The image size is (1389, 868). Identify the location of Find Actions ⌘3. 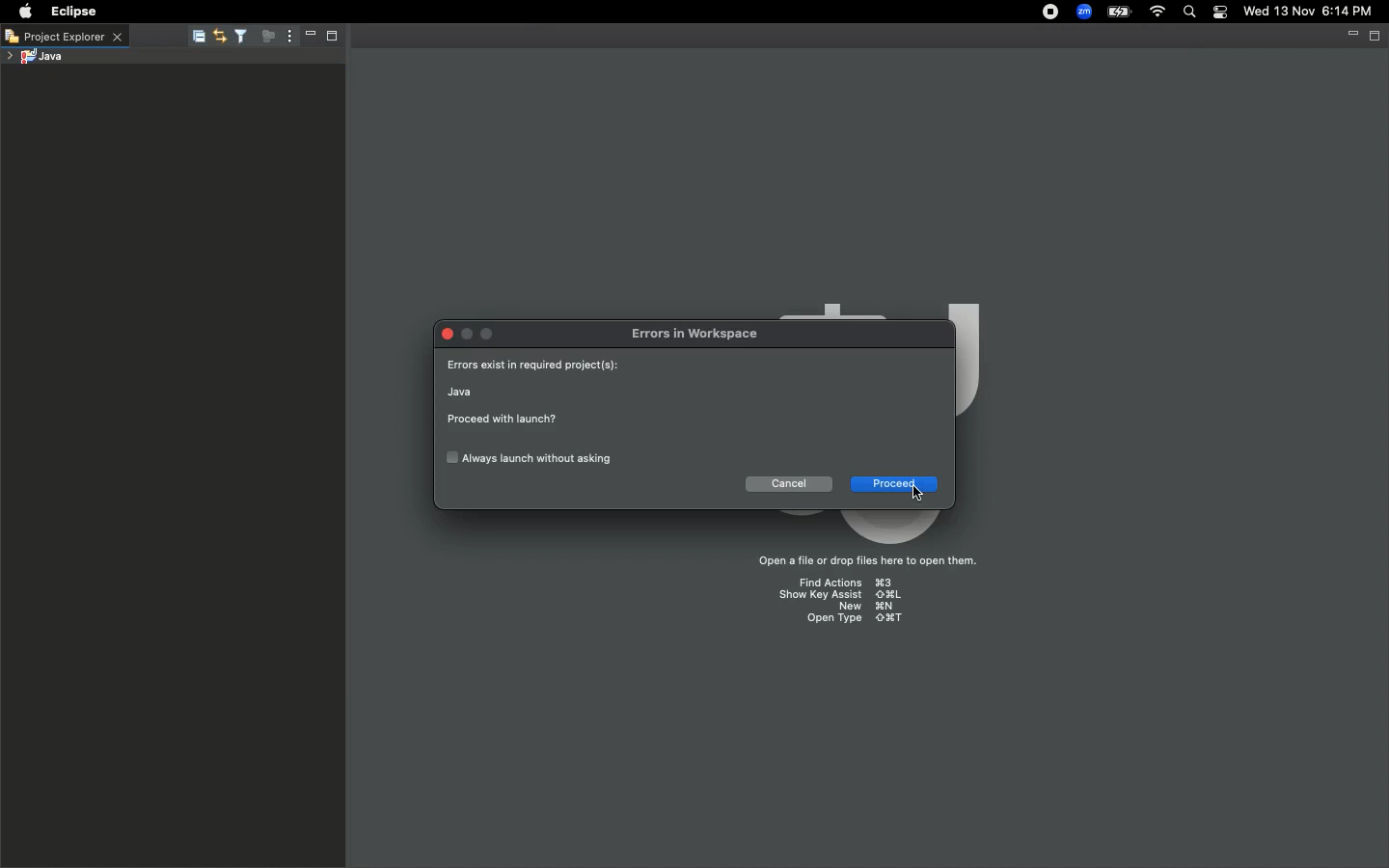
(846, 584).